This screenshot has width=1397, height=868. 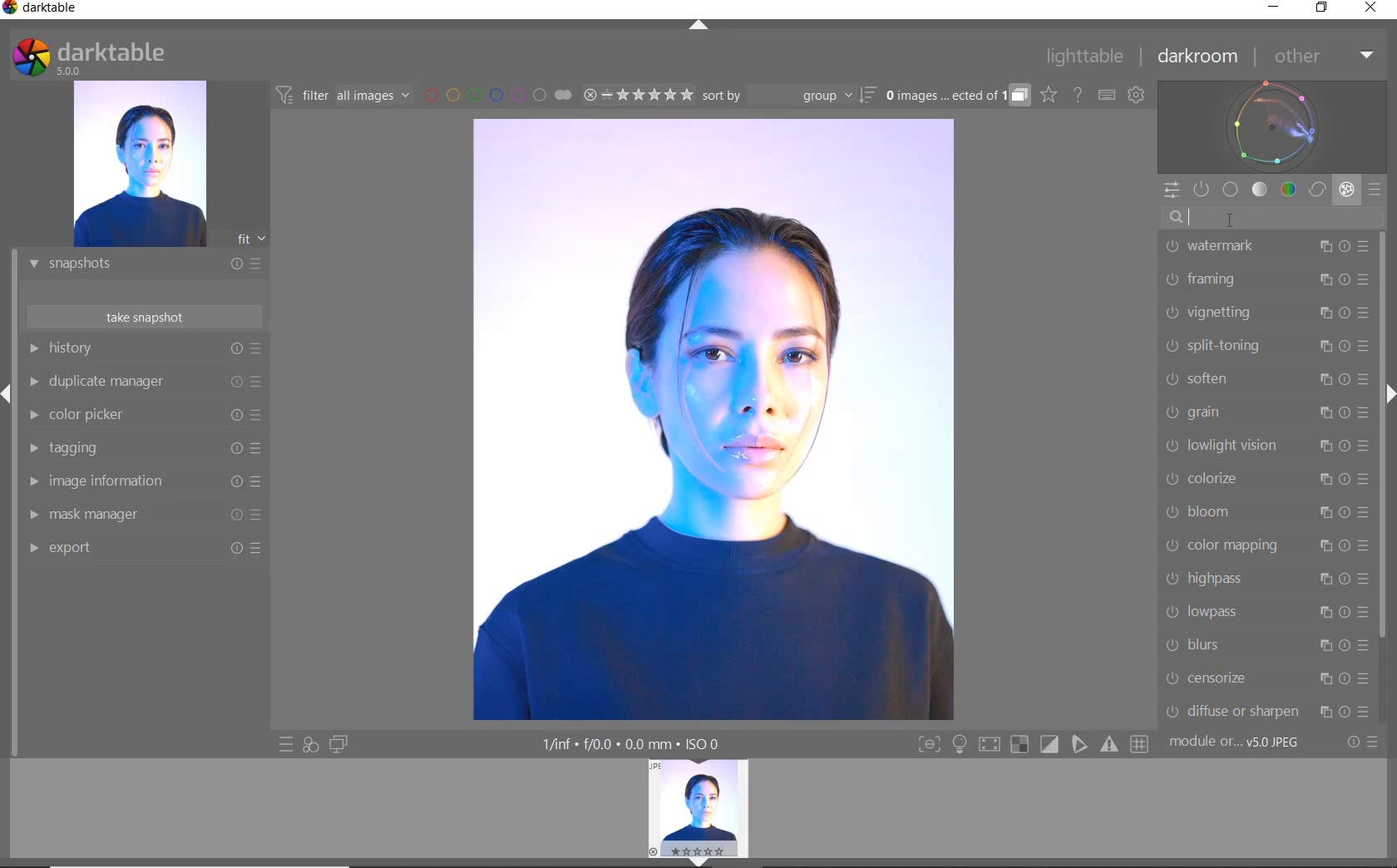 I want to click on Button, so click(x=1019, y=745).